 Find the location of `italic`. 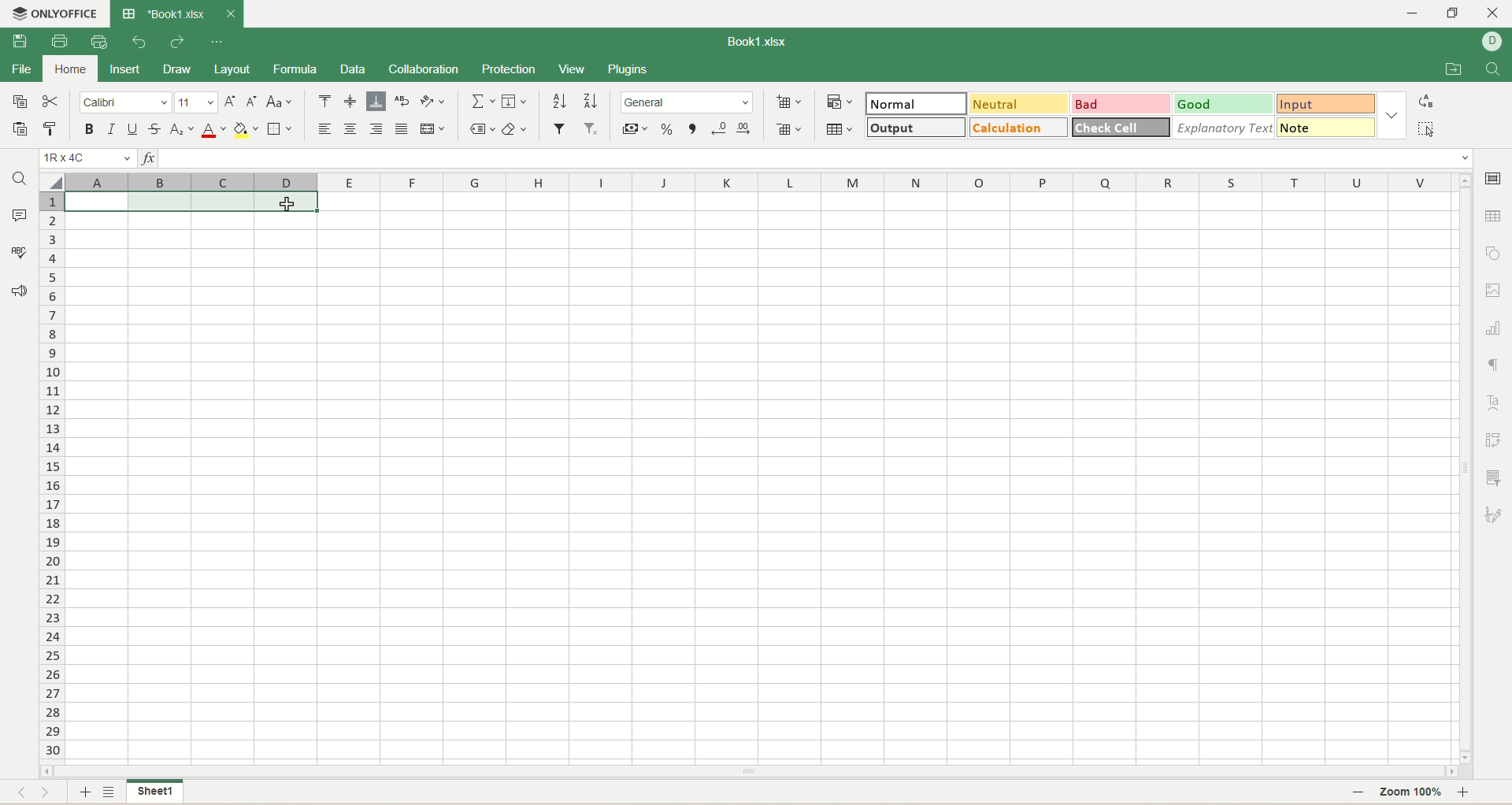

italic is located at coordinates (113, 128).